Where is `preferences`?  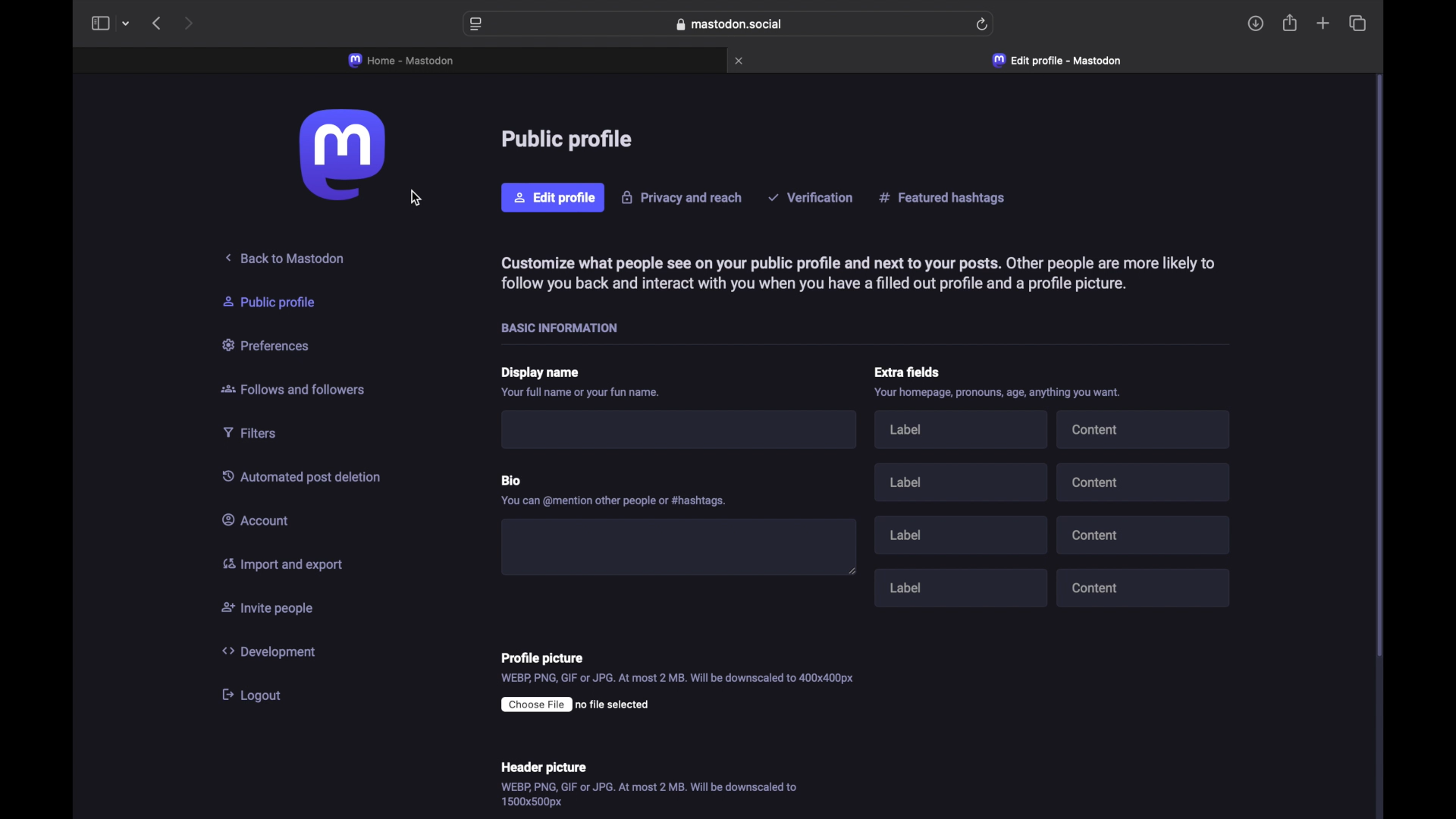
preferences is located at coordinates (268, 346).